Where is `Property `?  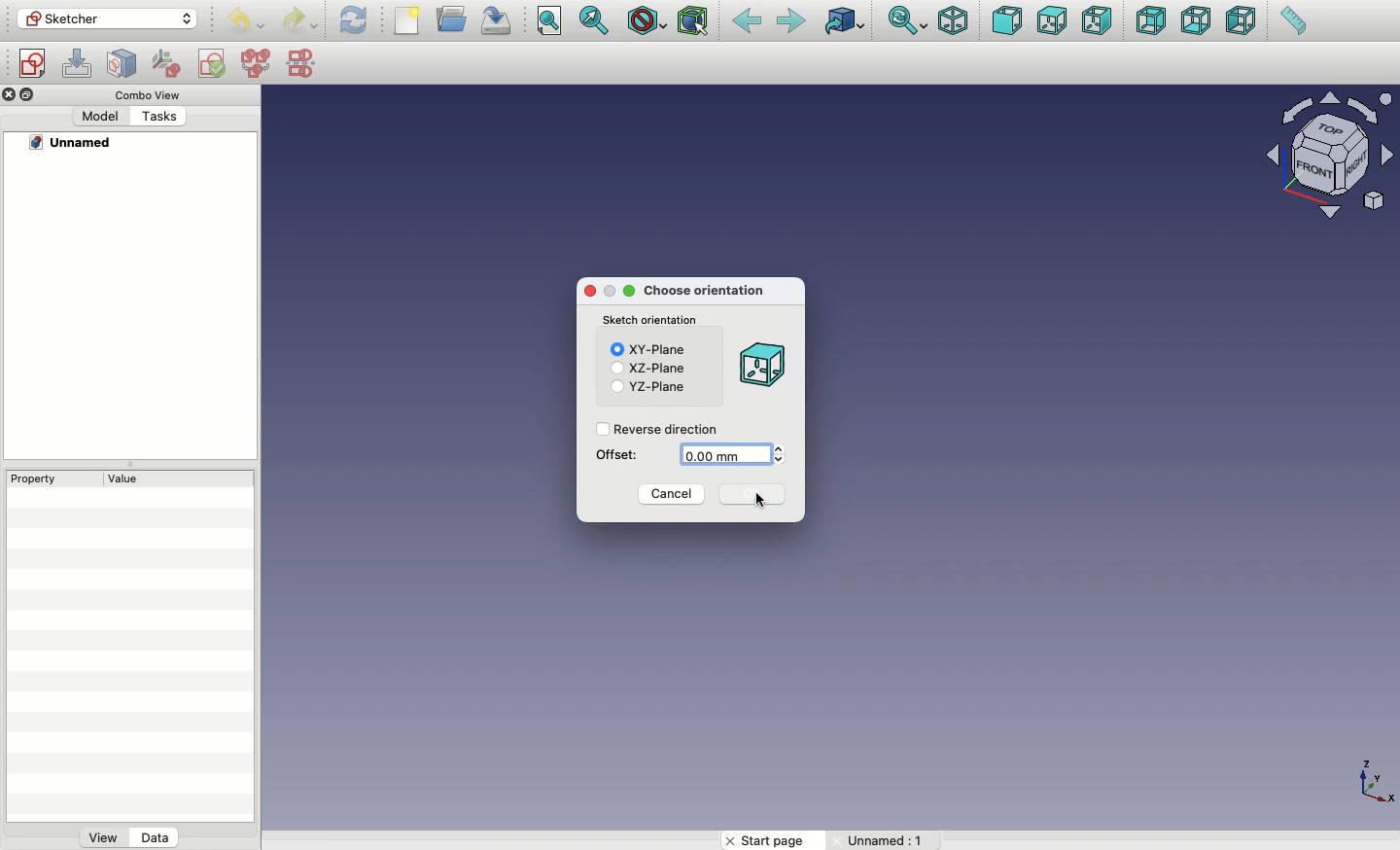
Property  is located at coordinates (44, 478).